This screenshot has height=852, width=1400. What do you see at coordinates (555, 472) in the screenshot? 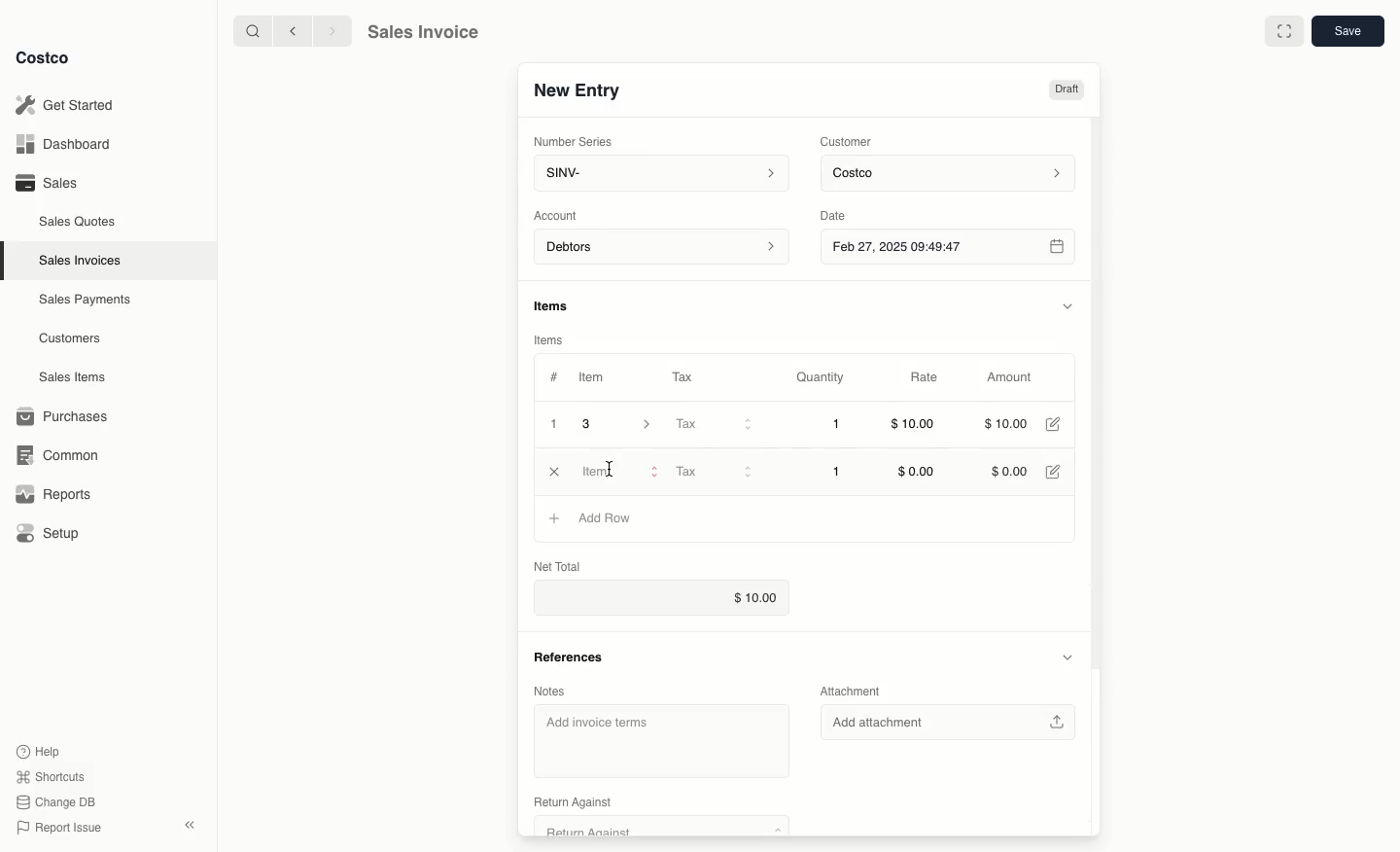
I see `Close` at bounding box center [555, 472].